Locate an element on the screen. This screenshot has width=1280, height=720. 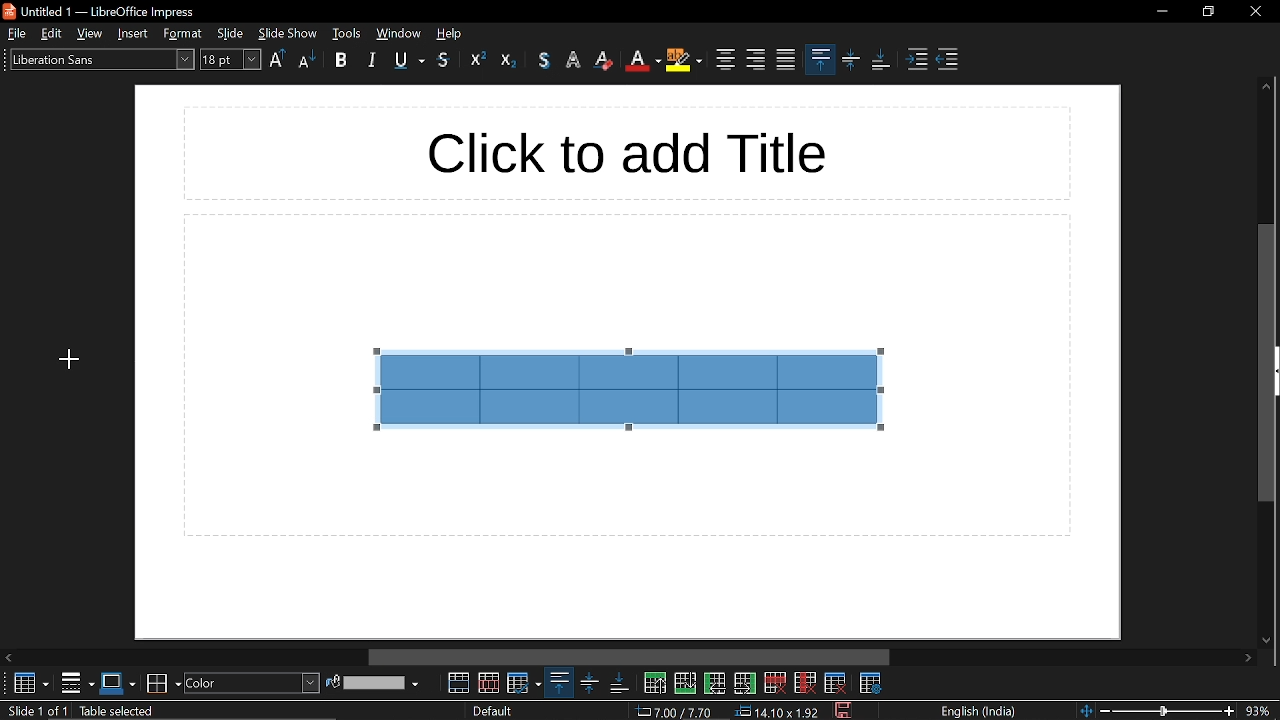
insert row above is located at coordinates (654, 682).